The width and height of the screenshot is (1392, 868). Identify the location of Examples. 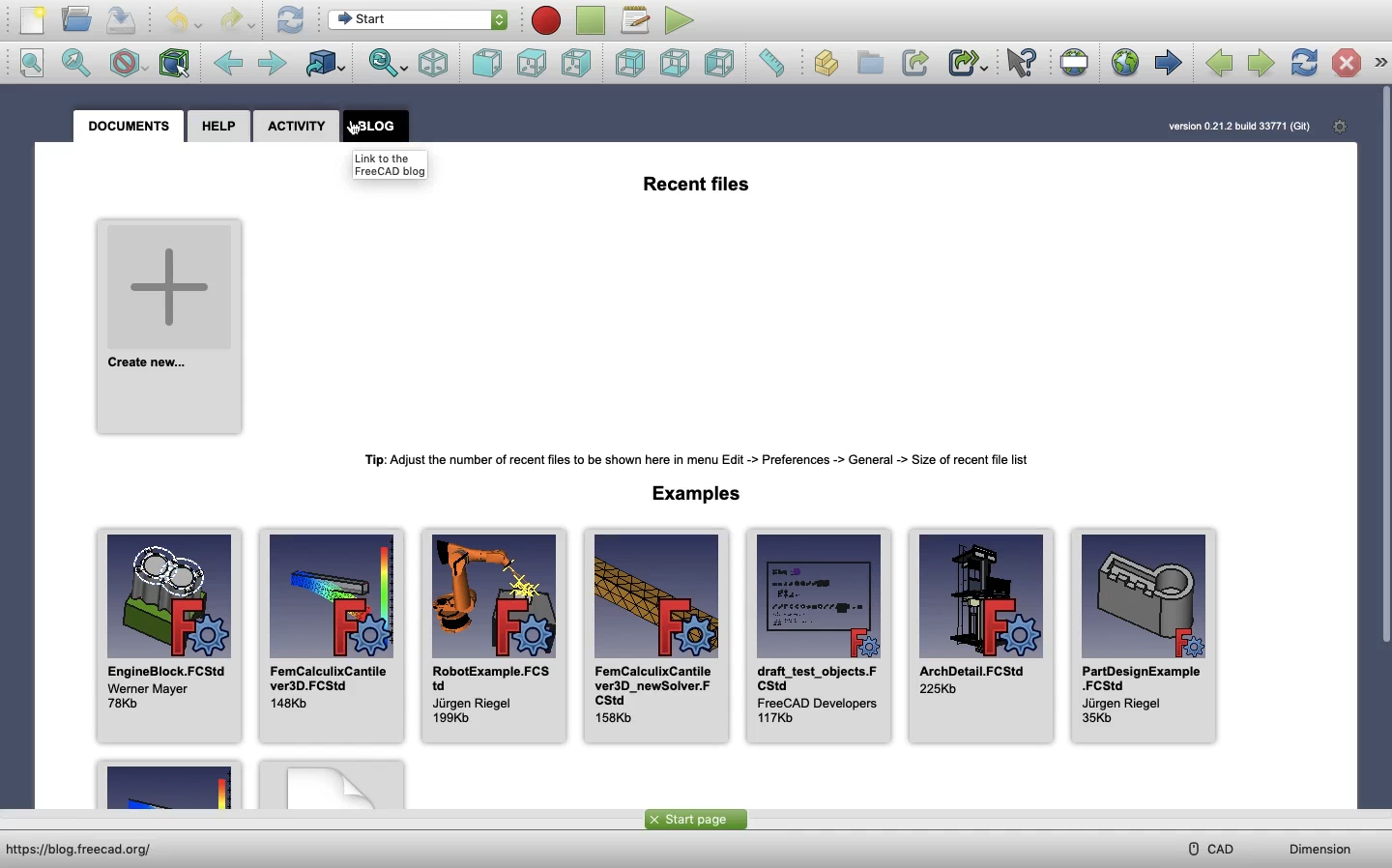
(686, 494).